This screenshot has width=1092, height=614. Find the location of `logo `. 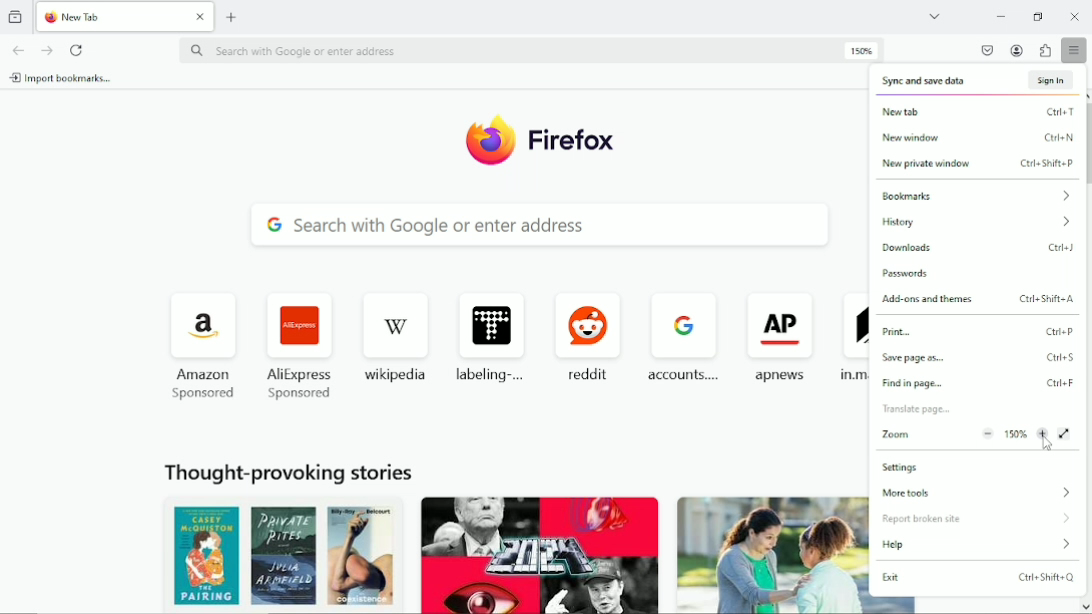

logo  is located at coordinates (488, 142).